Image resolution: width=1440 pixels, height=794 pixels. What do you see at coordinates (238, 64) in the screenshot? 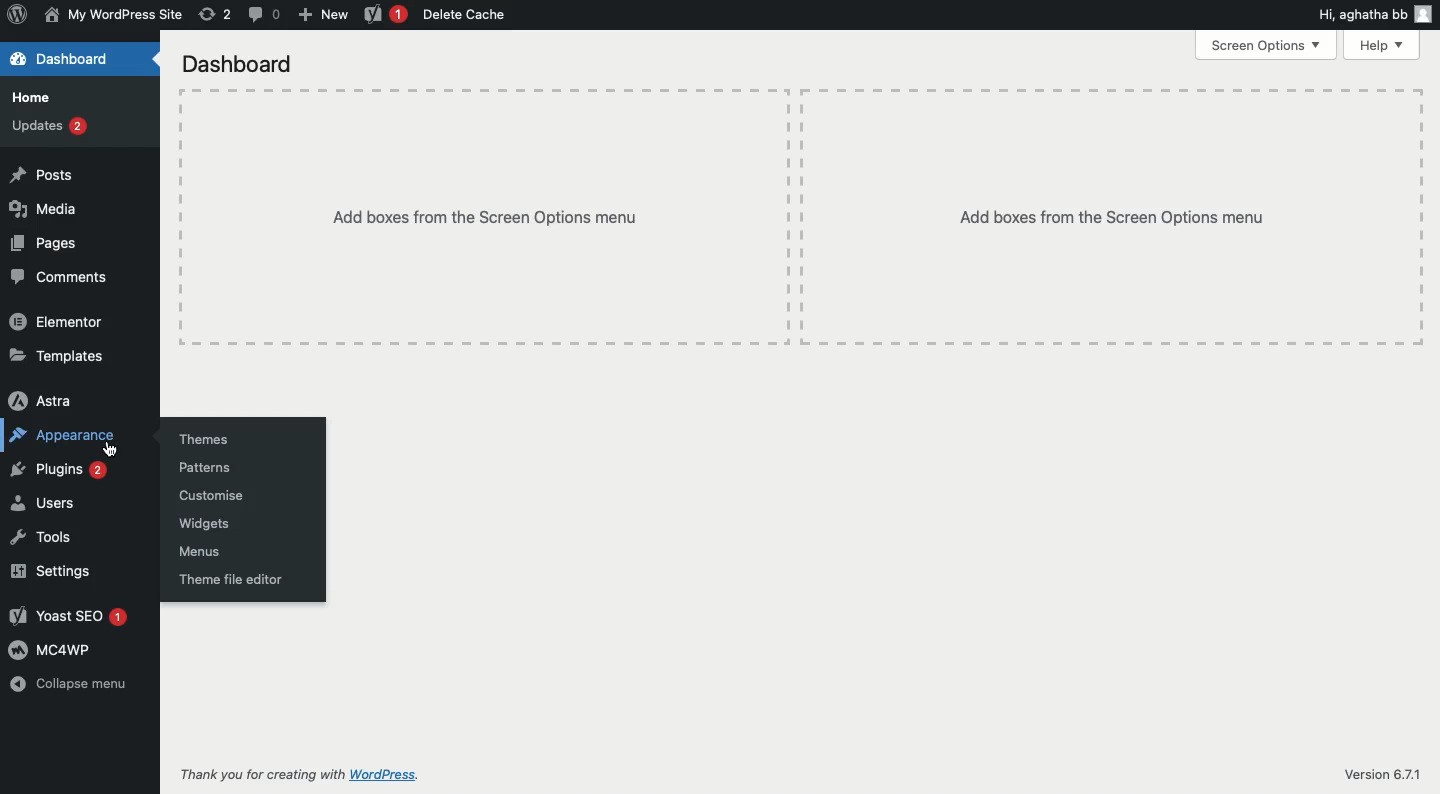
I see `Dashboard` at bounding box center [238, 64].